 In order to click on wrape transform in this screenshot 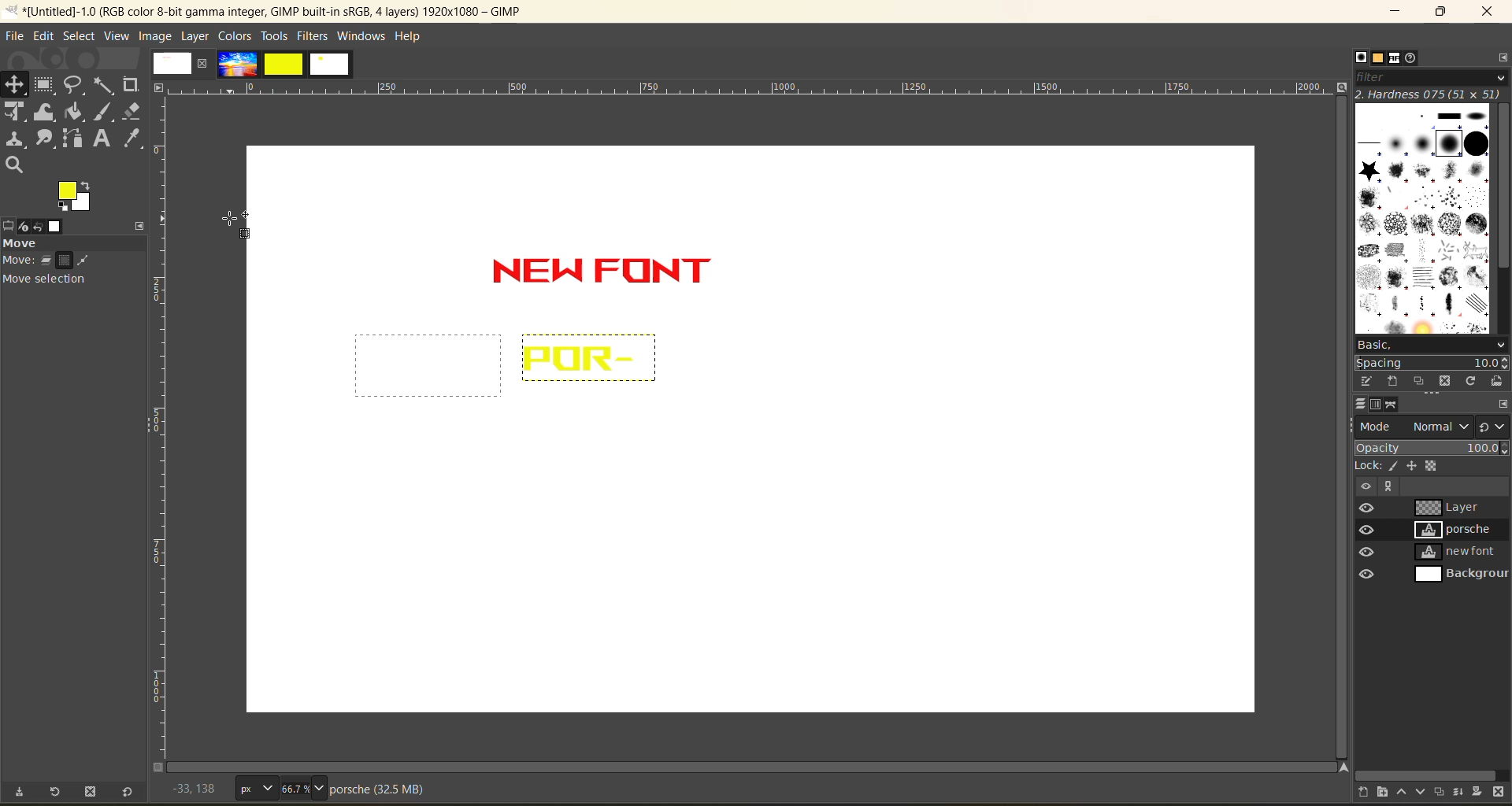, I will do `click(45, 113)`.